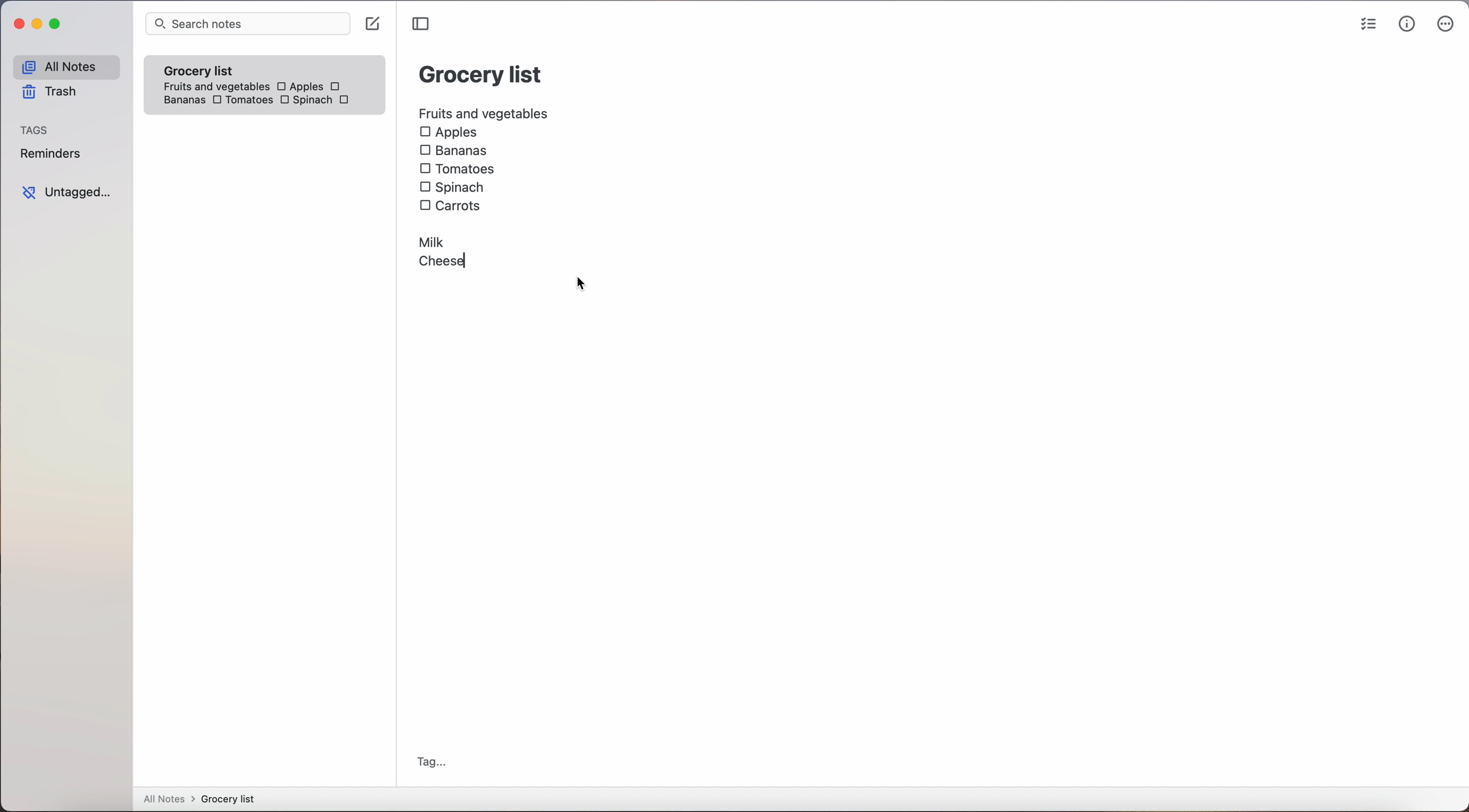  Describe the element at coordinates (248, 25) in the screenshot. I see `search notes` at that location.